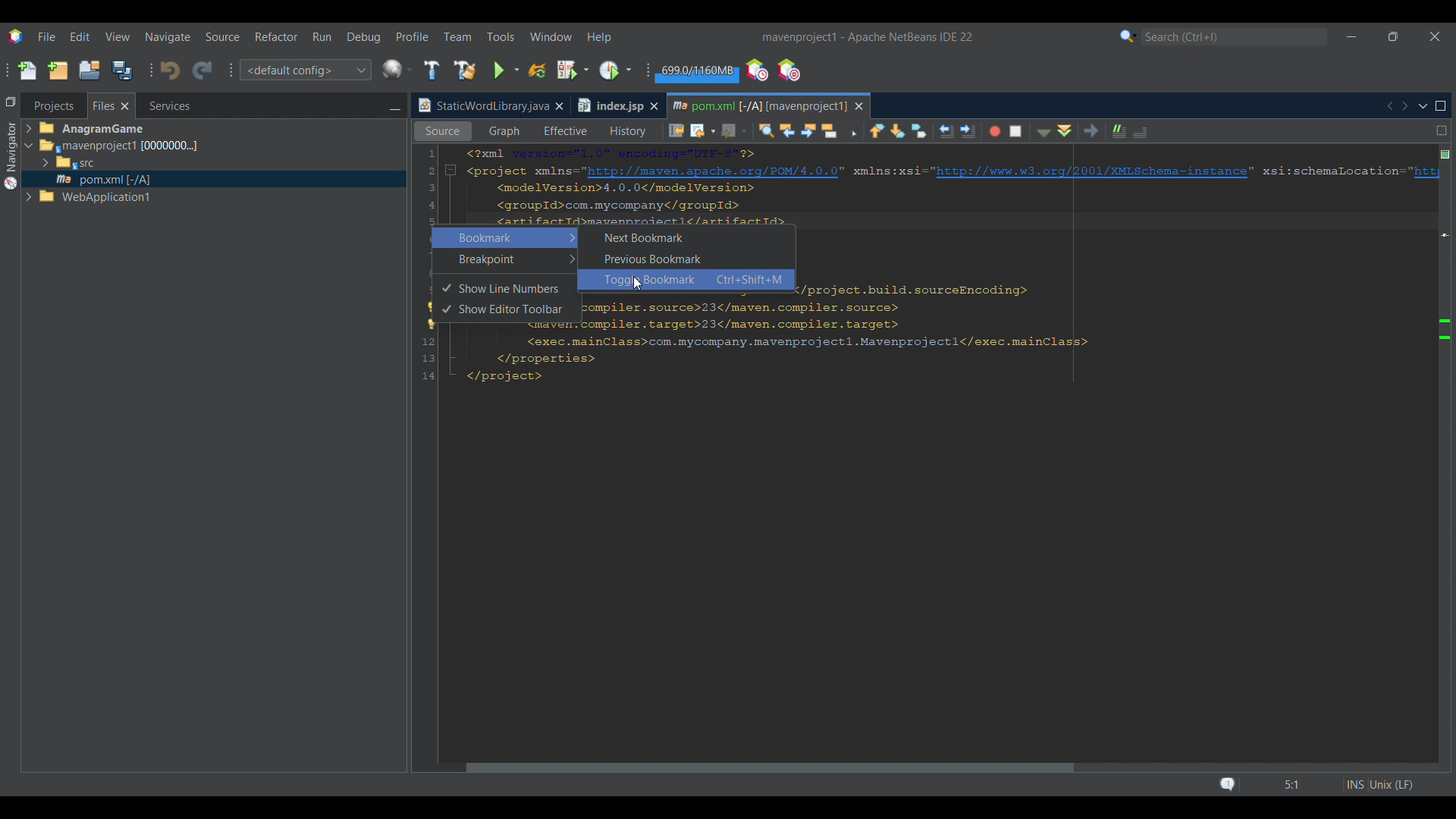 This screenshot has height=819, width=1456. What do you see at coordinates (1235, 37) in the screenshot?
I see `Search` at bounding box center [1235, 37].